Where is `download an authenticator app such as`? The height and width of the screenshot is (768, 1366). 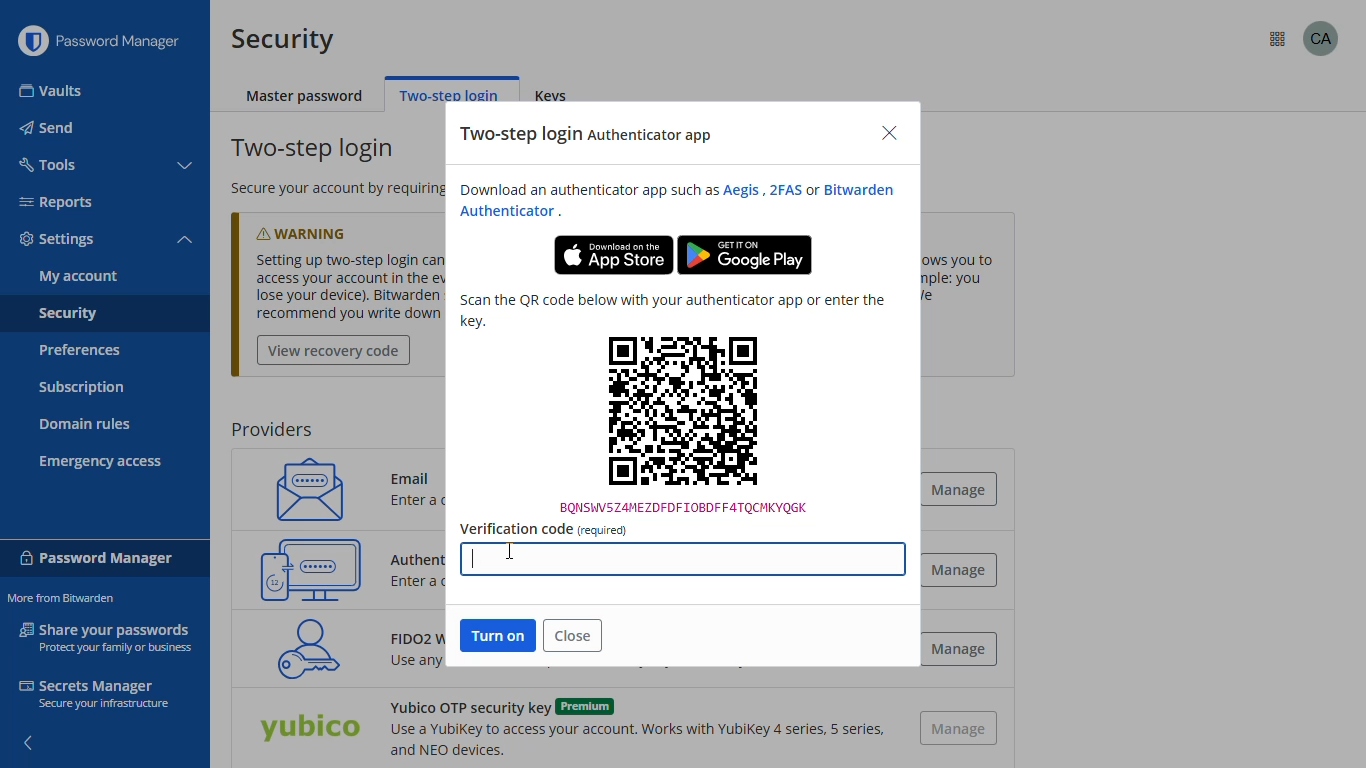 download an authenticator app such as is located at coordinates (584, 190).